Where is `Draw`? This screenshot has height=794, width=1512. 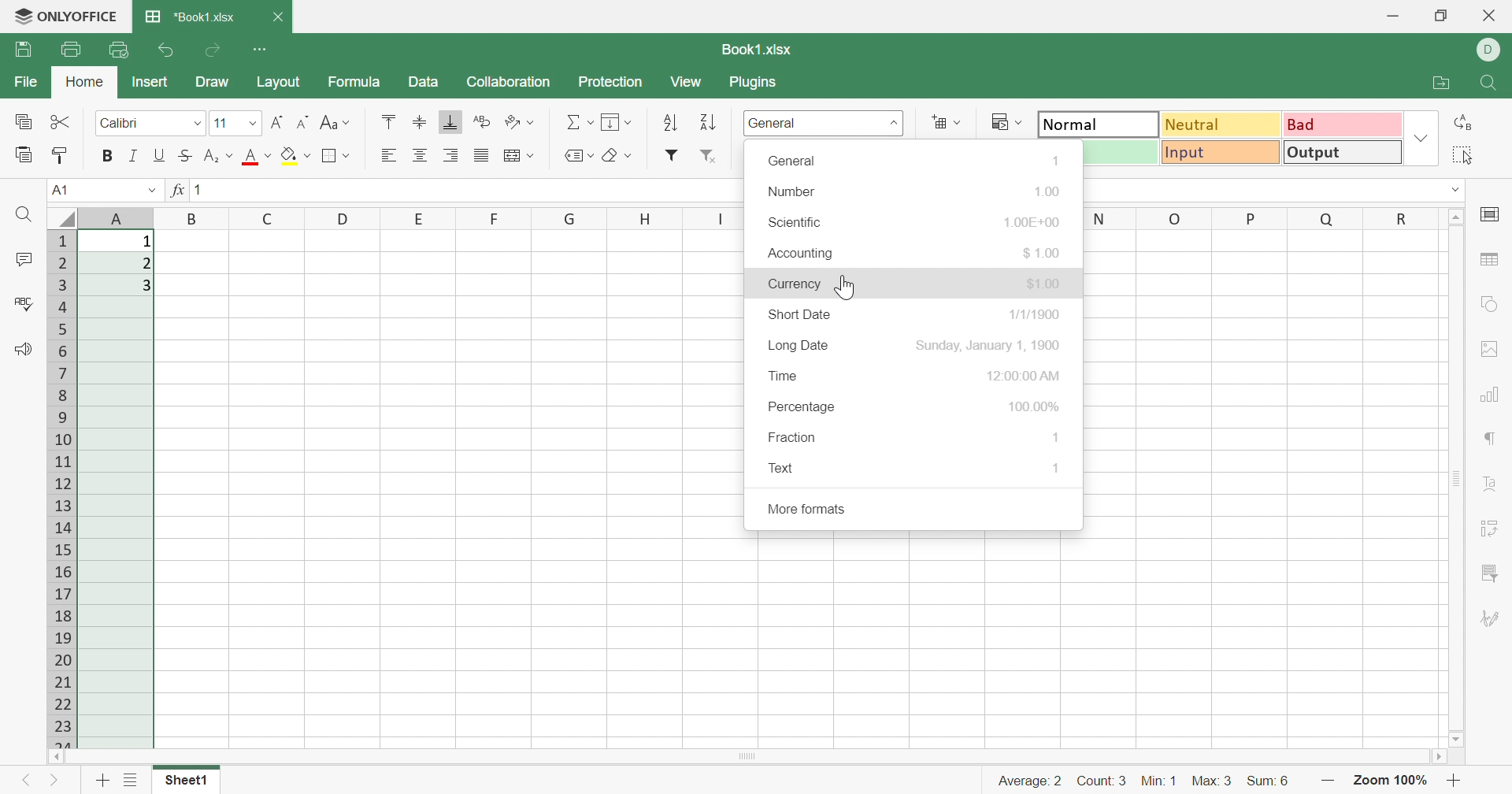 Draw is located at coordinates (213, 83).